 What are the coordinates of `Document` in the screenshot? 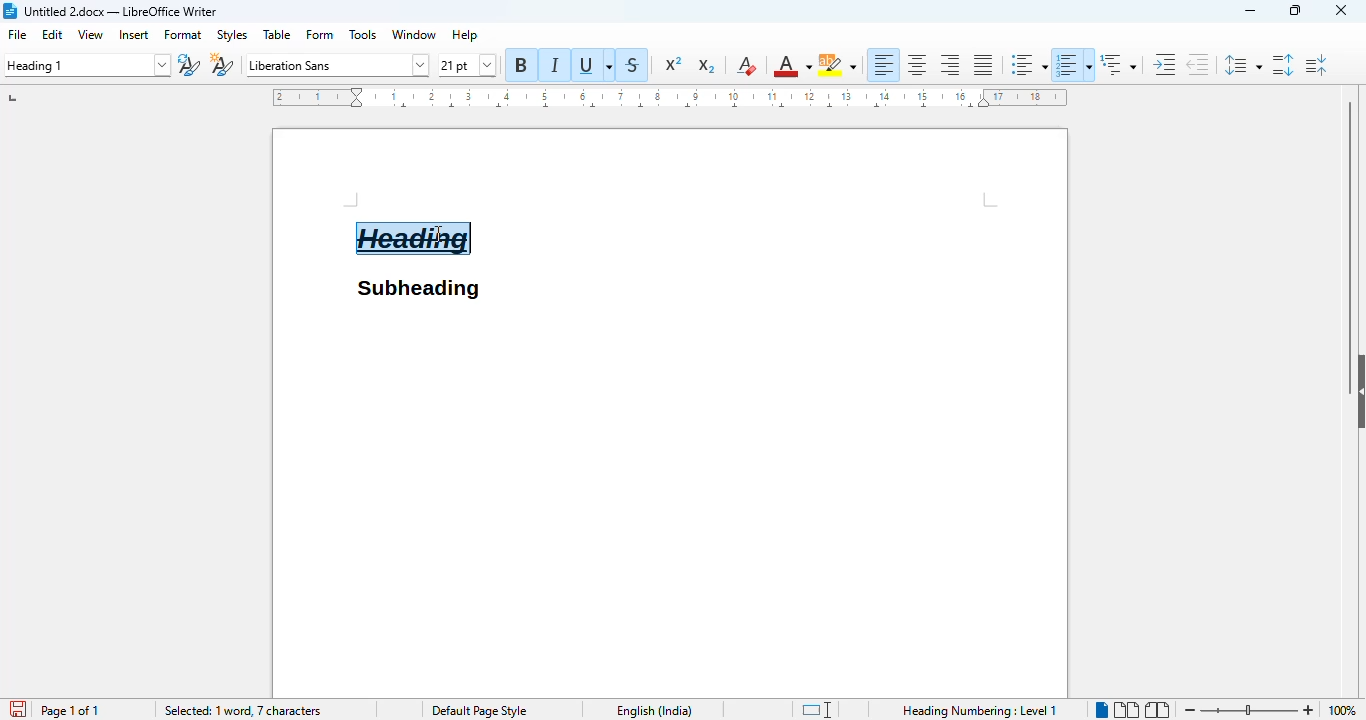 It's located at (671, 500).